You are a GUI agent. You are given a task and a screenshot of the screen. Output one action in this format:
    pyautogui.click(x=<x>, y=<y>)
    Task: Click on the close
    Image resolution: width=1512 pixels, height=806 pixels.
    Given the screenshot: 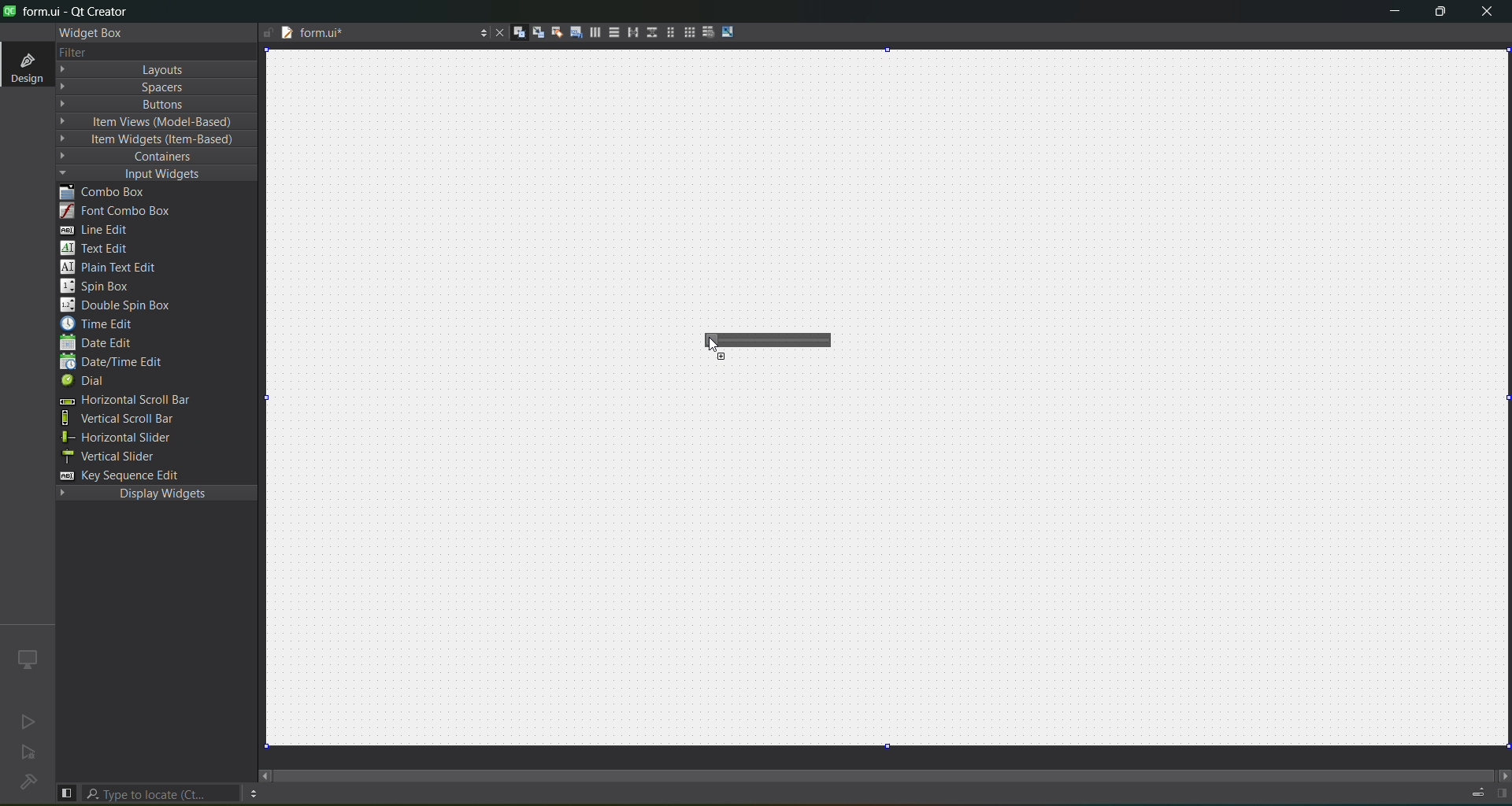 What is the action you would take?
    pyautogui.click(x=1488, y=13)
    